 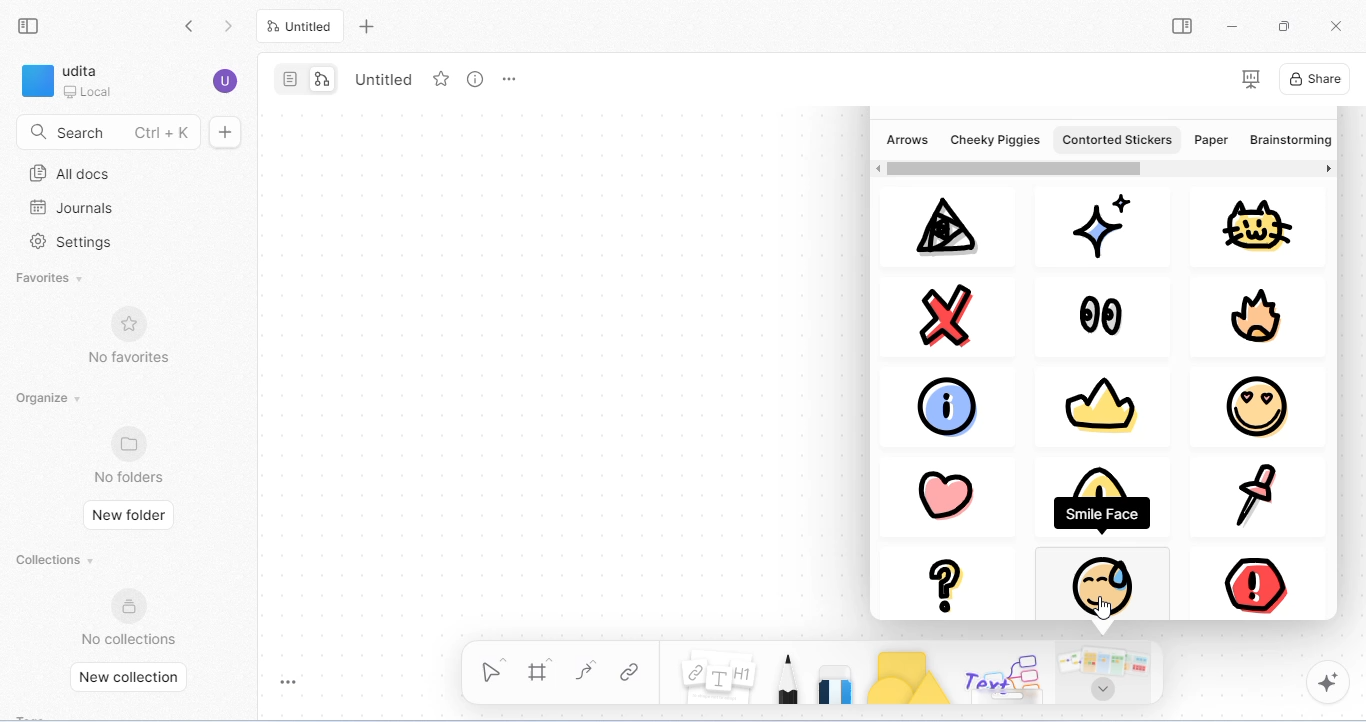 I want to click on no favorites, so click(x=126, y=333).